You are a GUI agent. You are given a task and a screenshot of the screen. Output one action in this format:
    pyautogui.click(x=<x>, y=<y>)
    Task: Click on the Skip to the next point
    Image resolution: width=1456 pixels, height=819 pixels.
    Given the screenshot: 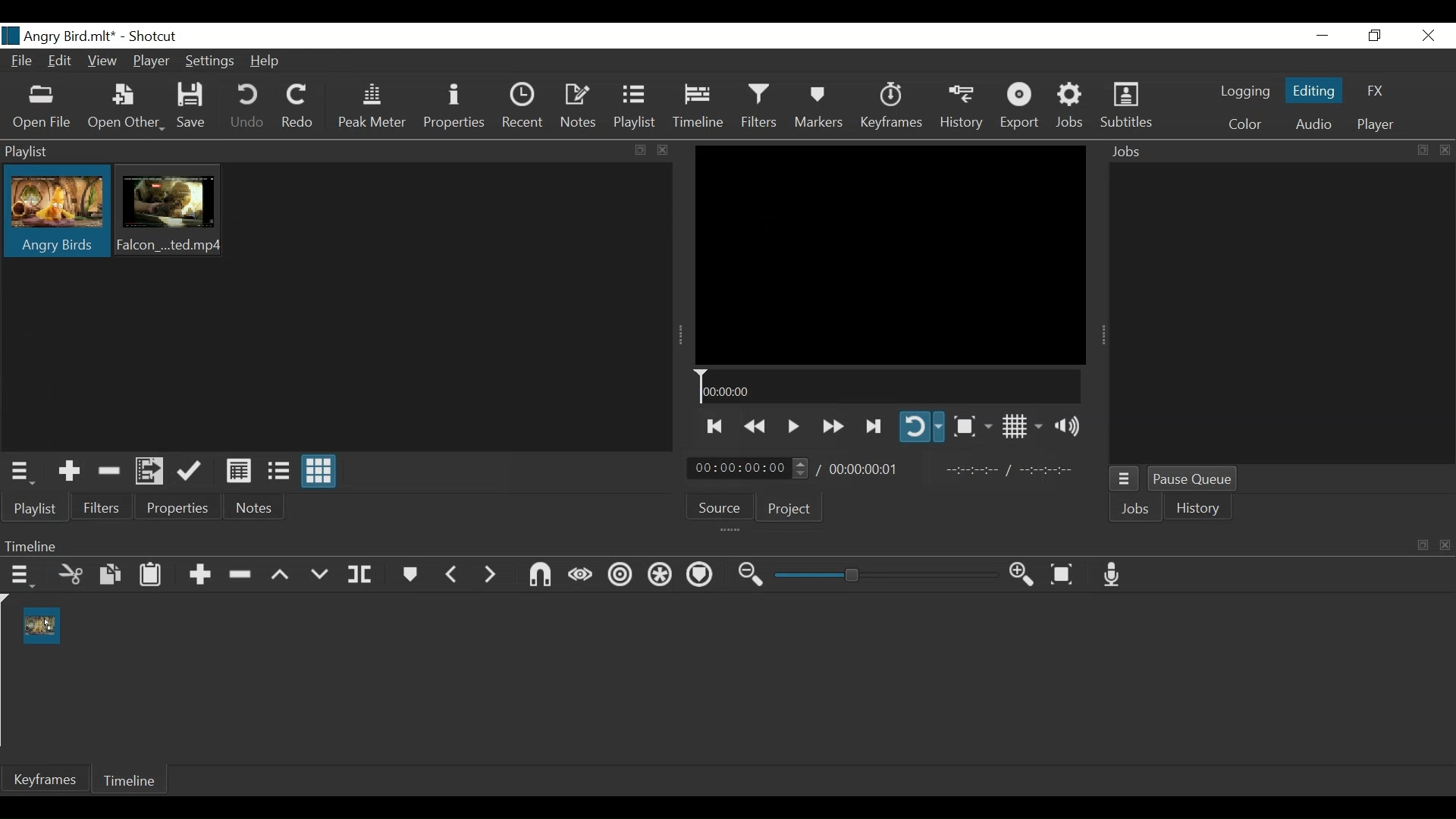 What is the action you would take?
    pyautogui.click(x=872, y=425)
    